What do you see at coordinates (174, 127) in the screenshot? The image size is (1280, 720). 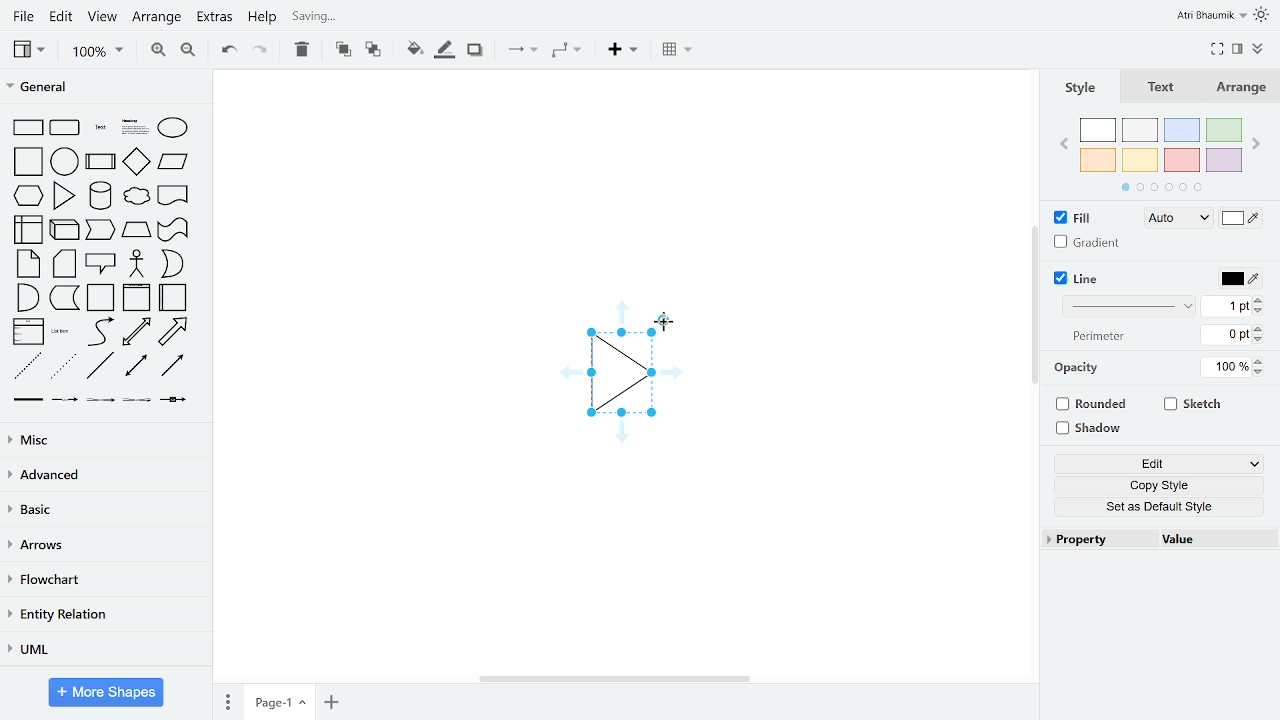 I see `ellipse` at bounding box center [174, 127].